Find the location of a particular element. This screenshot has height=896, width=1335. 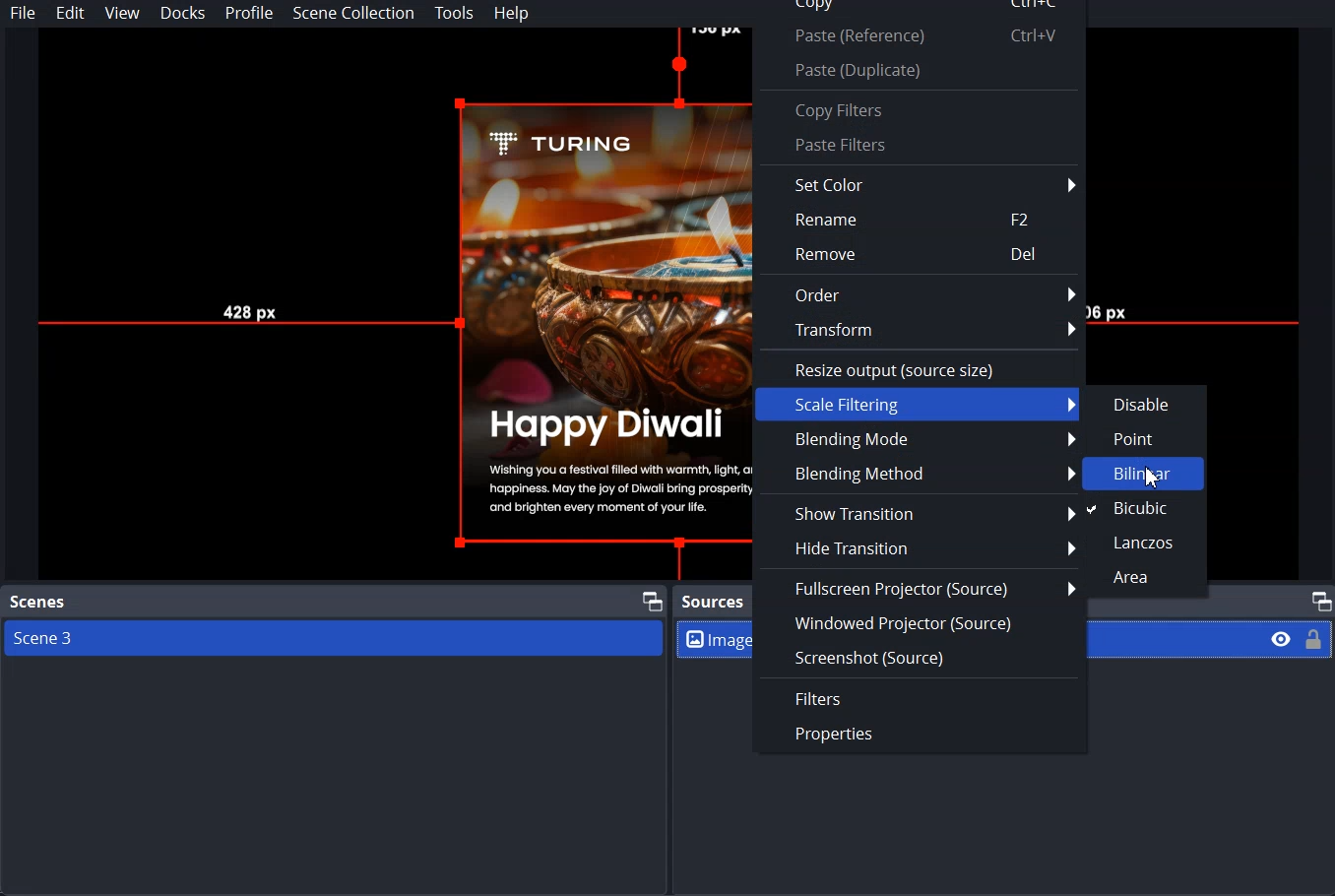

Paste Filters is located at coordinates (919, 146).